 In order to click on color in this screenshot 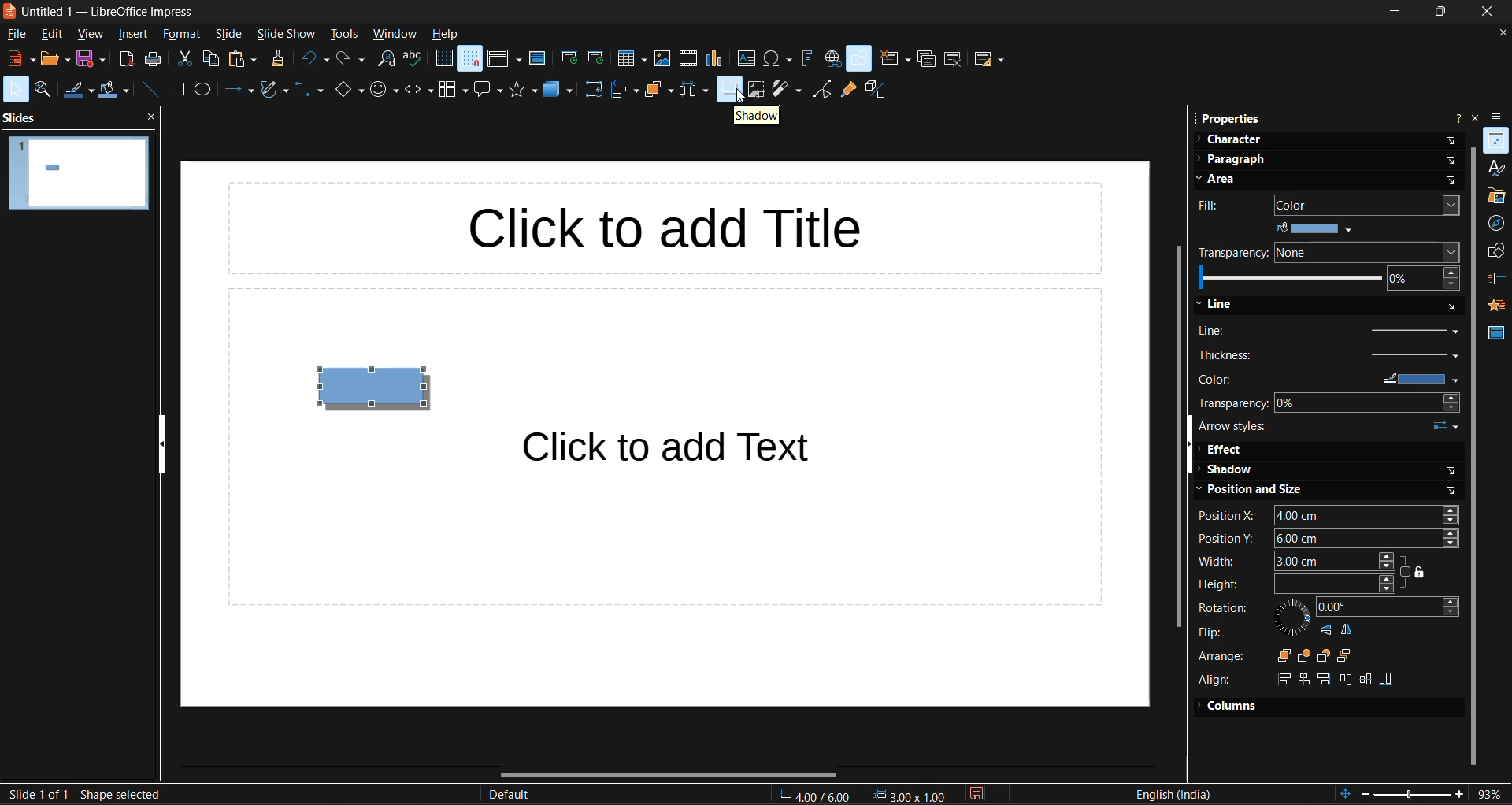, I will do `click(1329, 379)`.